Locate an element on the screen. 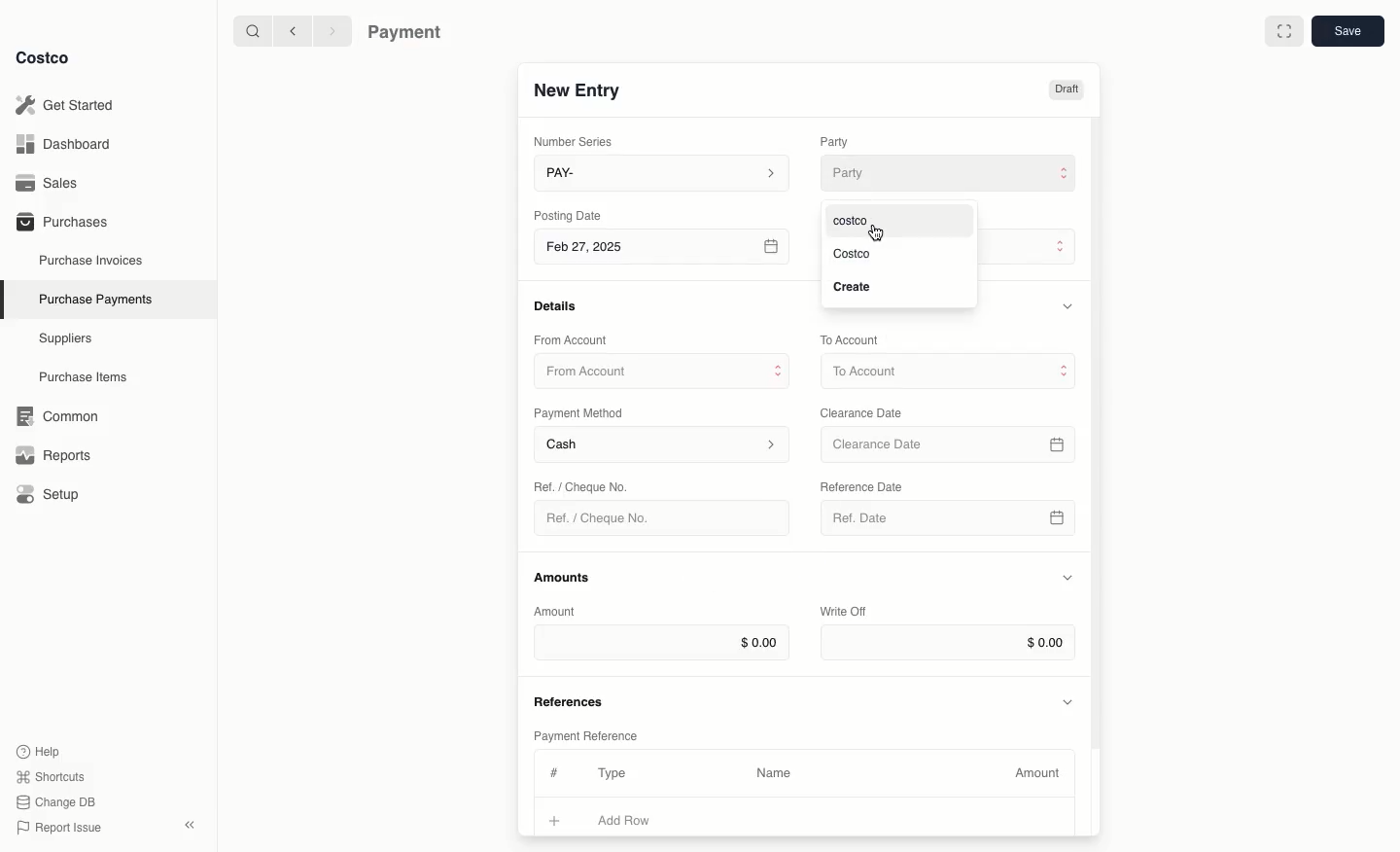 The width and height of the screenshot is (1400, 852). Costco is located at coordinates (854, 254).